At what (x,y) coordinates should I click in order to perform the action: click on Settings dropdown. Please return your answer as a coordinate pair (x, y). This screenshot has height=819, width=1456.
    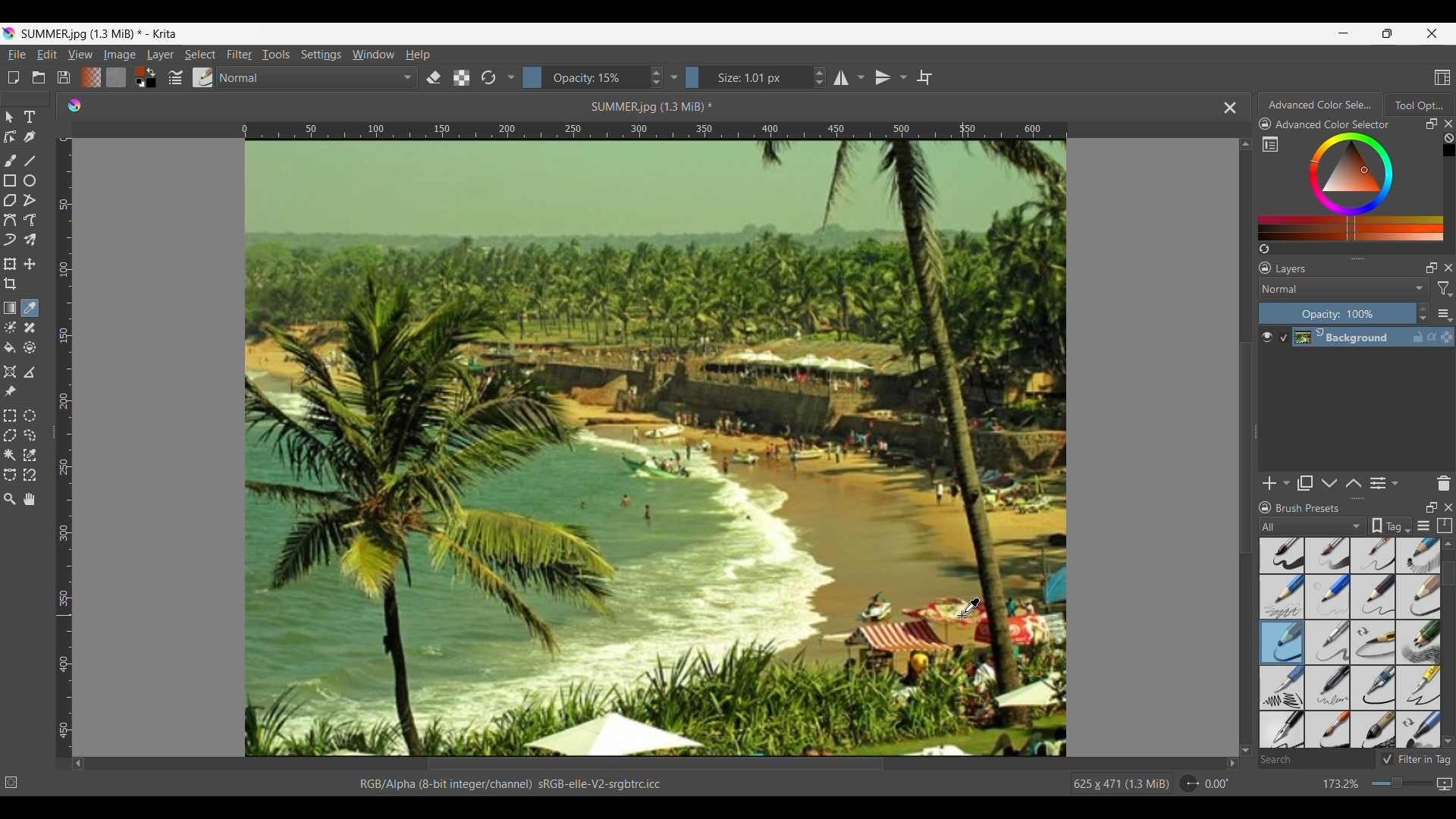
    Looking at the image, I should click on (674, 77).